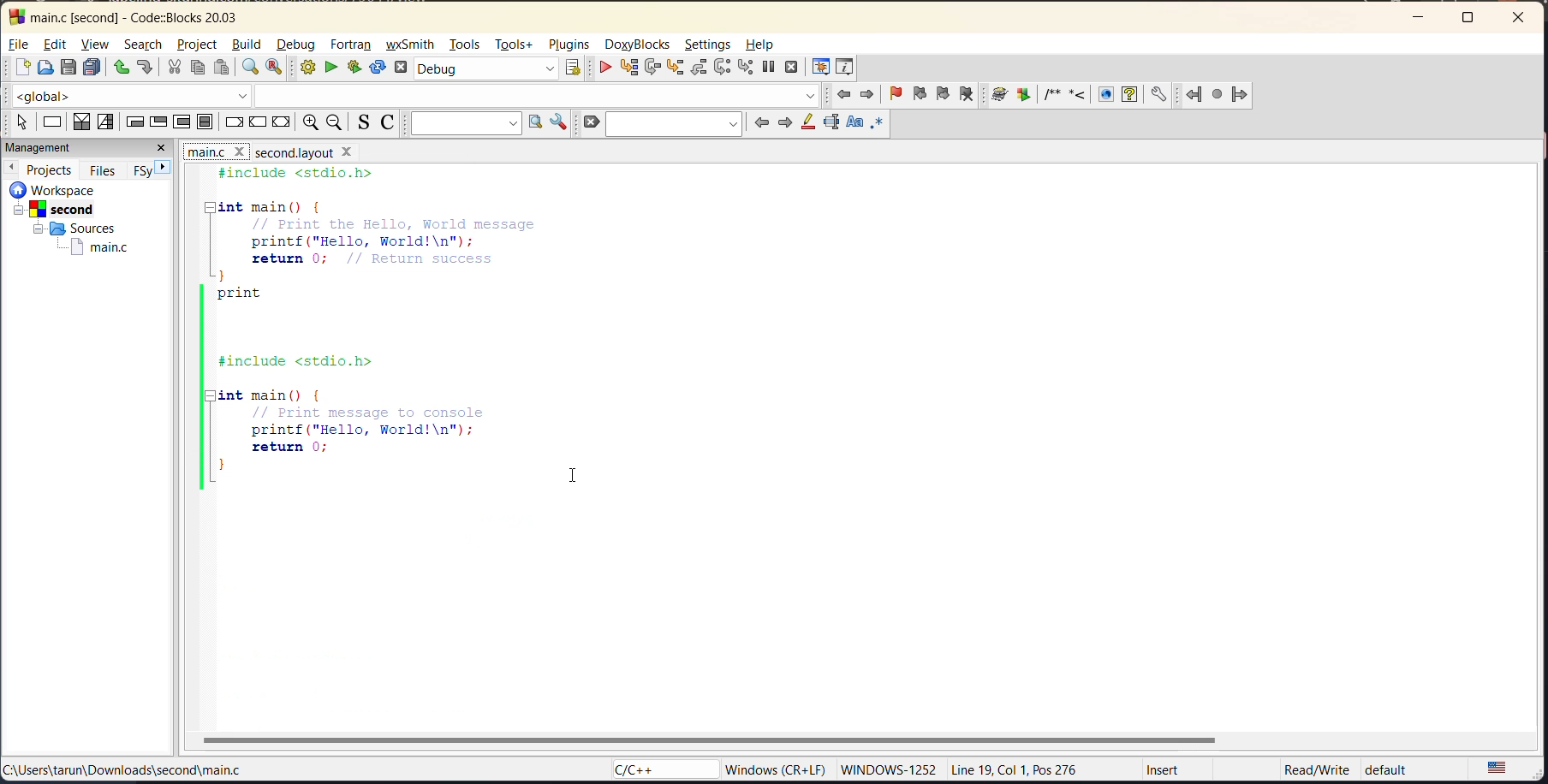  Describe the element at coordinates (404, 68) in the screenshot. I see `abort` at that location.